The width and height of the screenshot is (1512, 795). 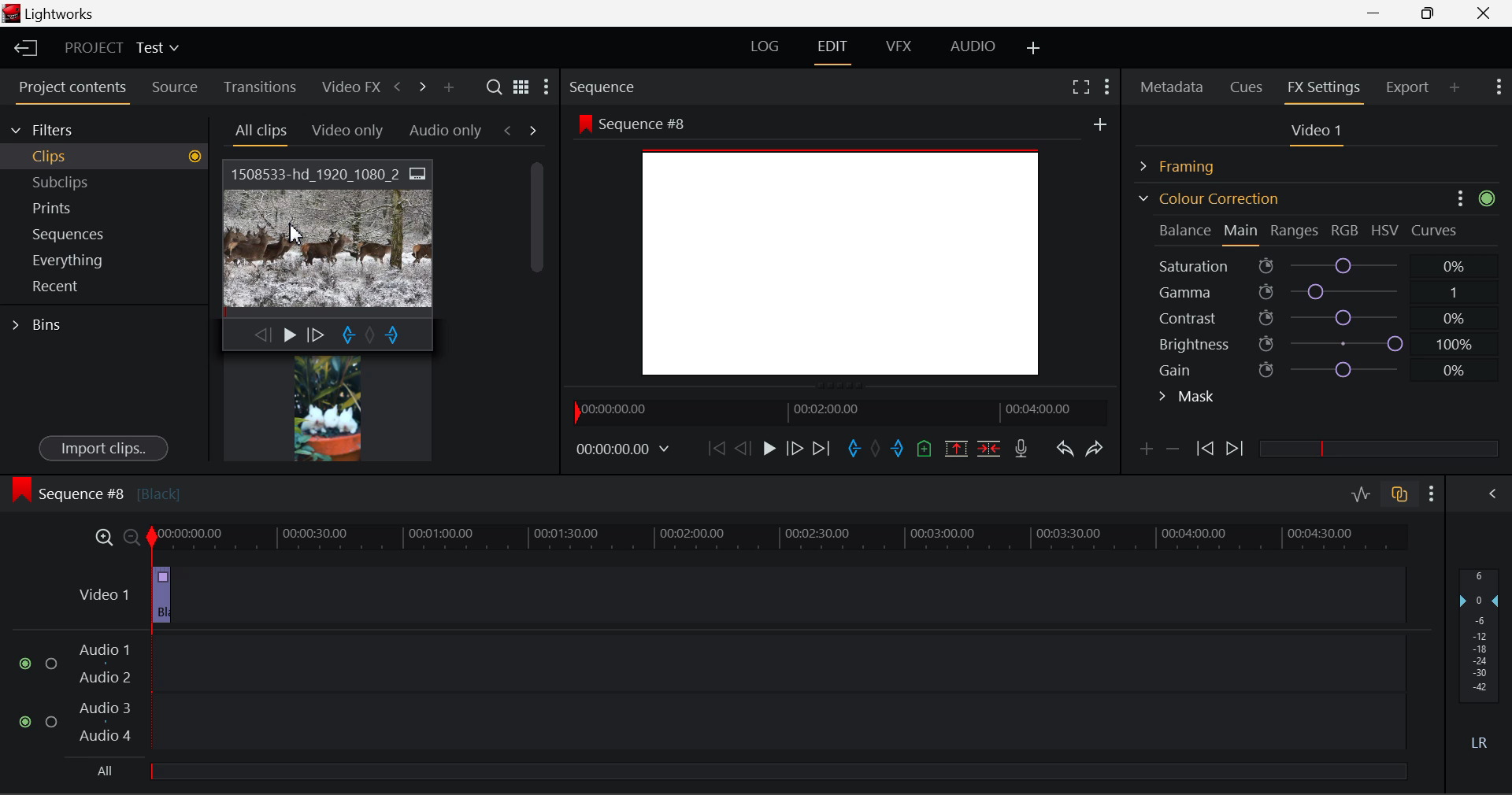 I want to click on Show Settings, so click(x=545, y=91).